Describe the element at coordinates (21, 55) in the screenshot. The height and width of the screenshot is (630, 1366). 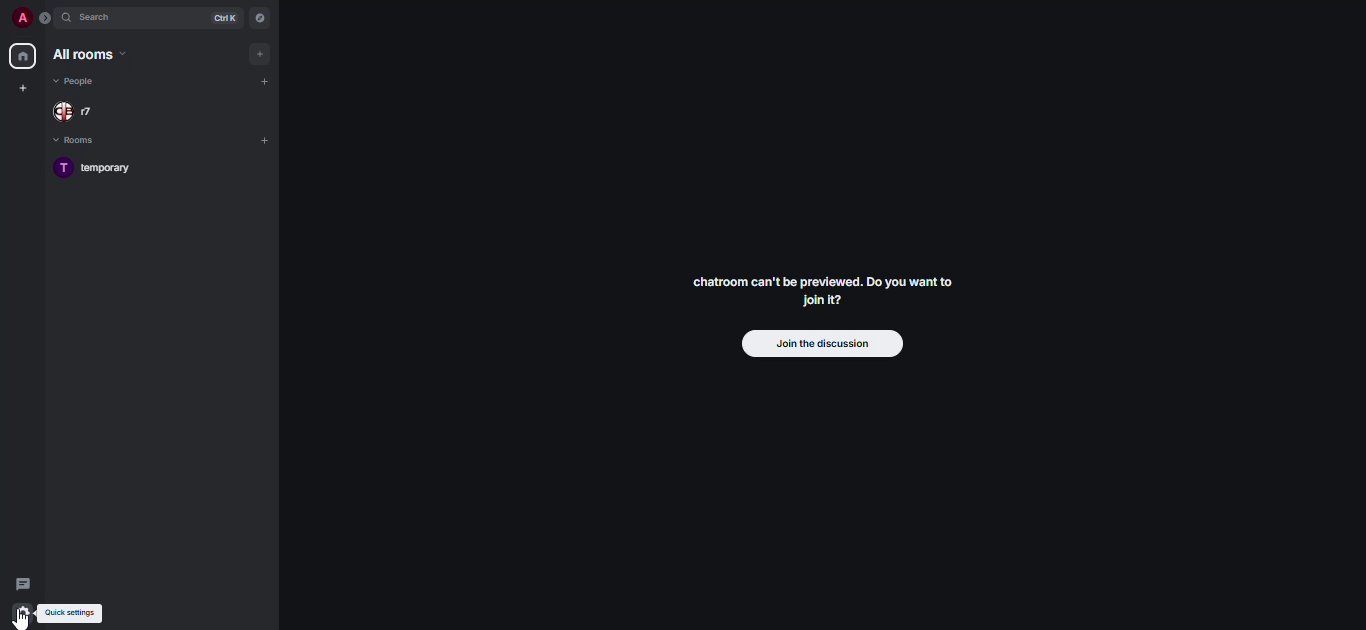
I see `home` at that location.